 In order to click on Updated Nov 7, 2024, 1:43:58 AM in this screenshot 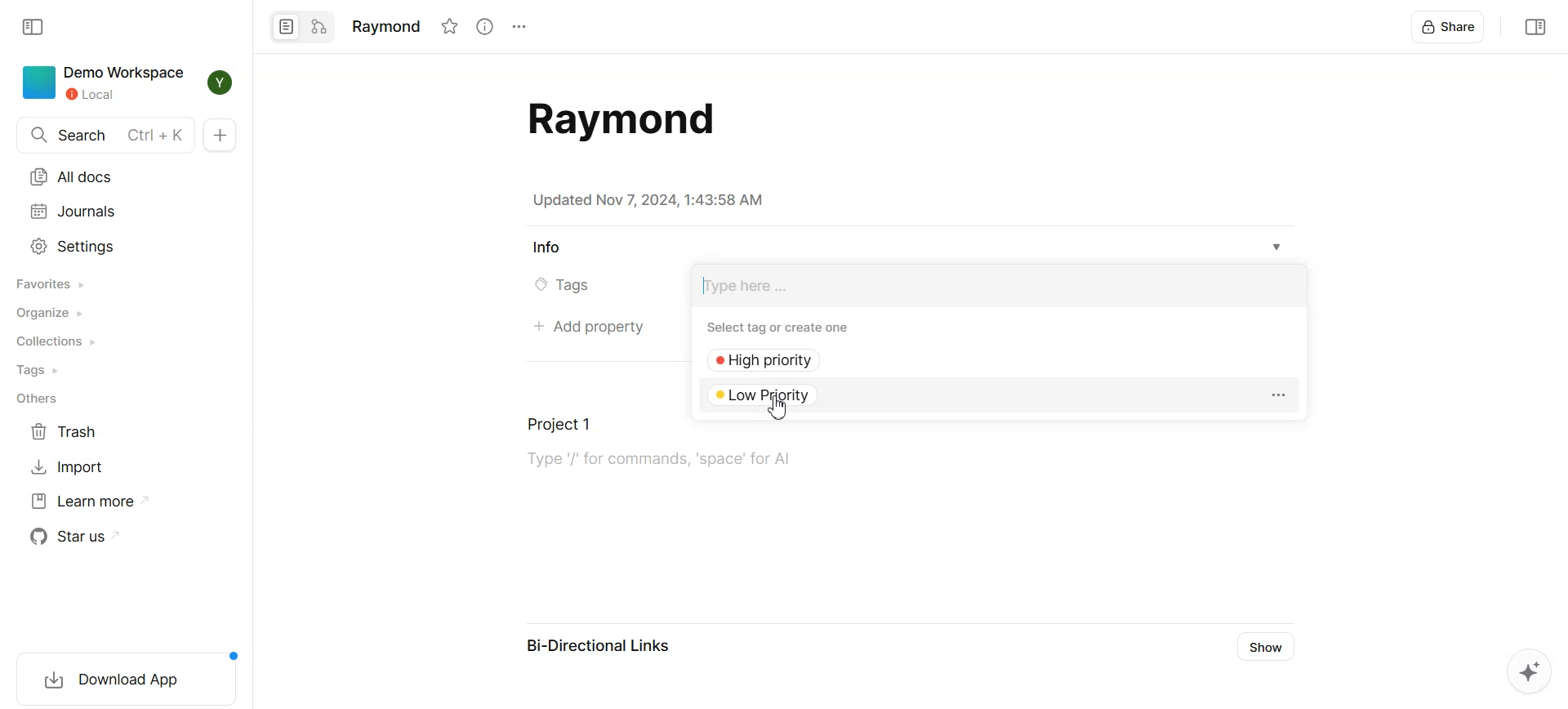, I will do `click(648, 200)`.